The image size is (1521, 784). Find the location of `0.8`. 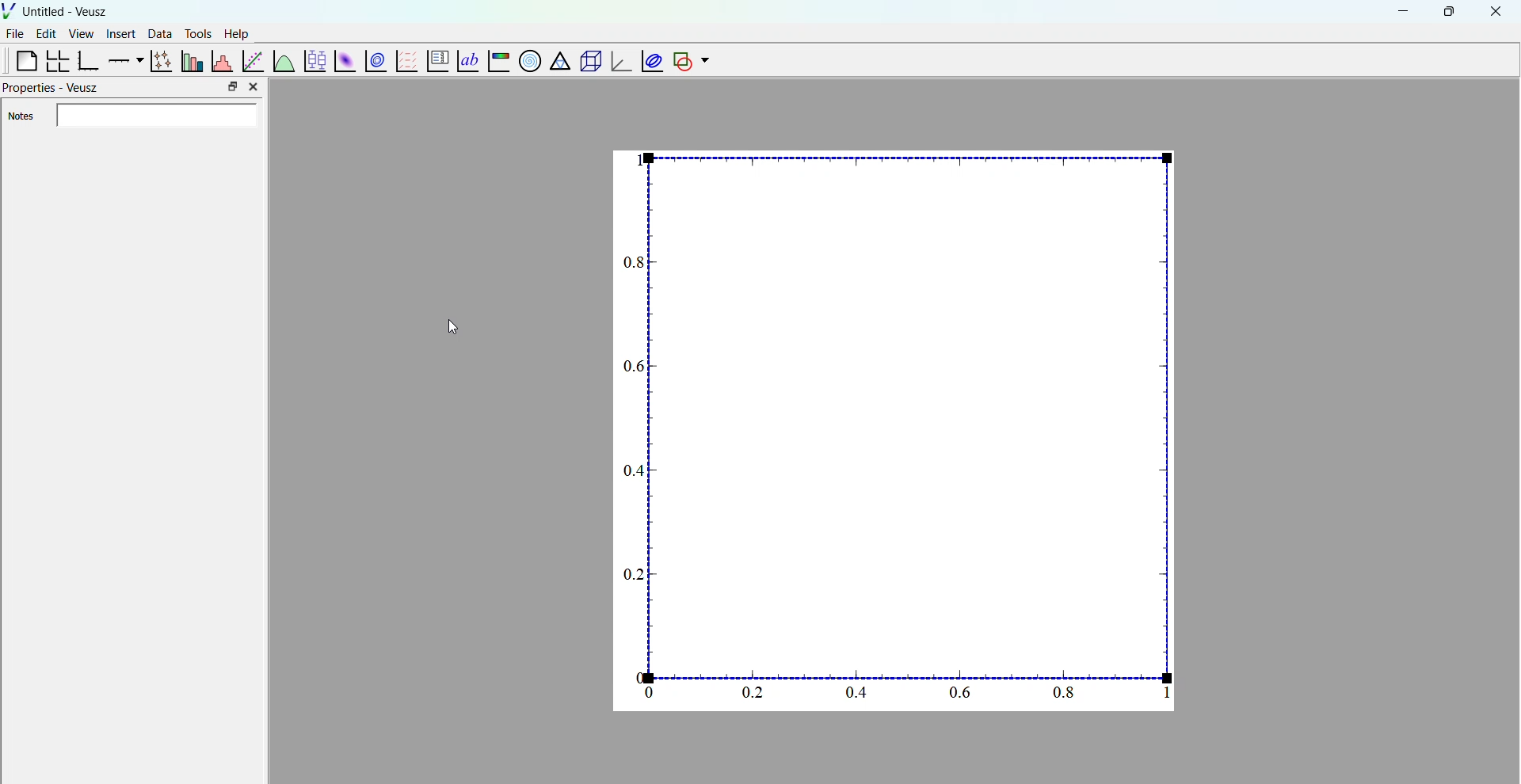

0.8 is located at coordinates (632, 263).